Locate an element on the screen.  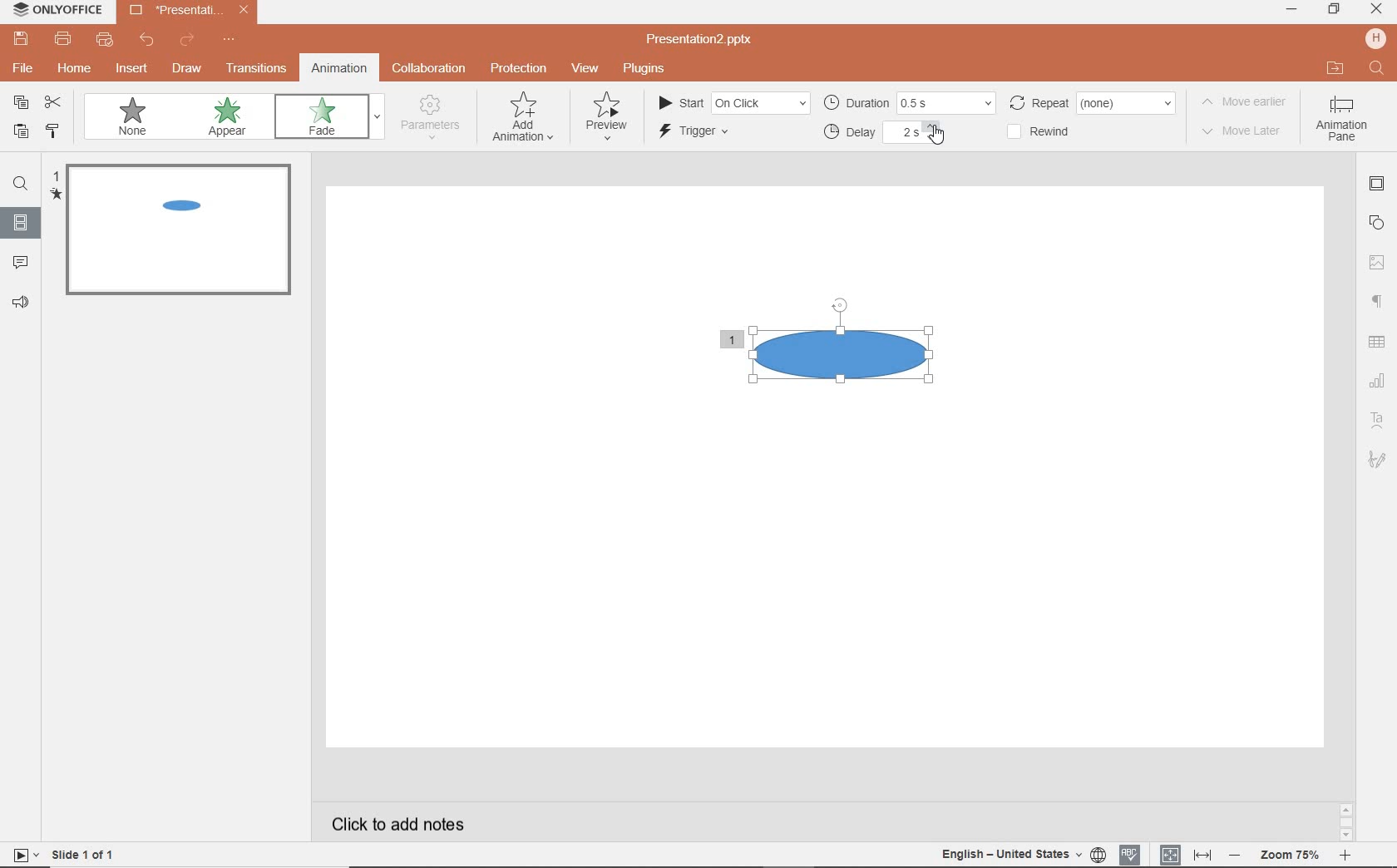
slide settings is located at coordinates (1375, 184).